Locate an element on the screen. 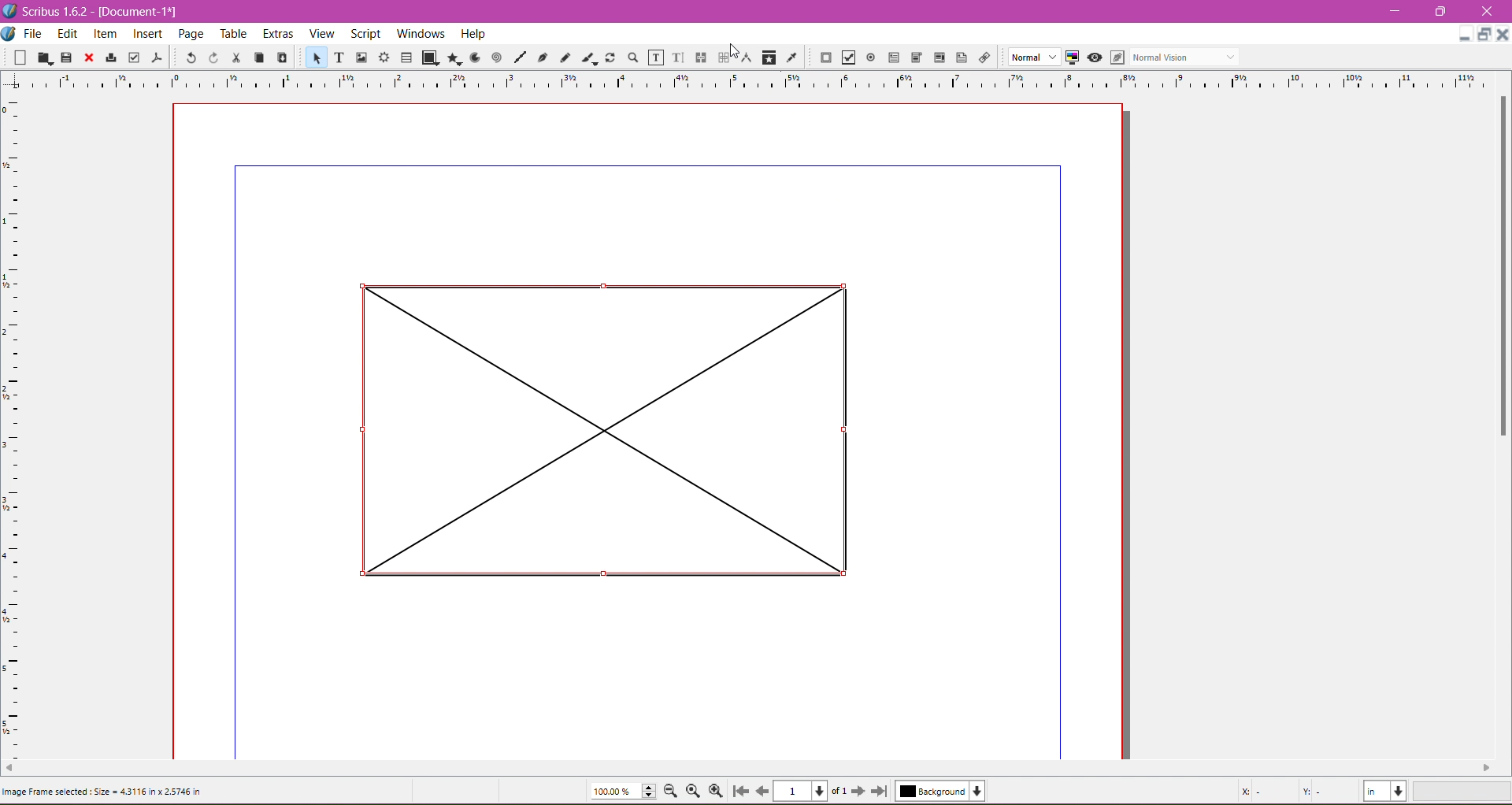 Image resolution: width=1512 pixels, height=805 pixels. Zoom Out by the stepping value in Tools preferences is located at coordinates (672, 791).